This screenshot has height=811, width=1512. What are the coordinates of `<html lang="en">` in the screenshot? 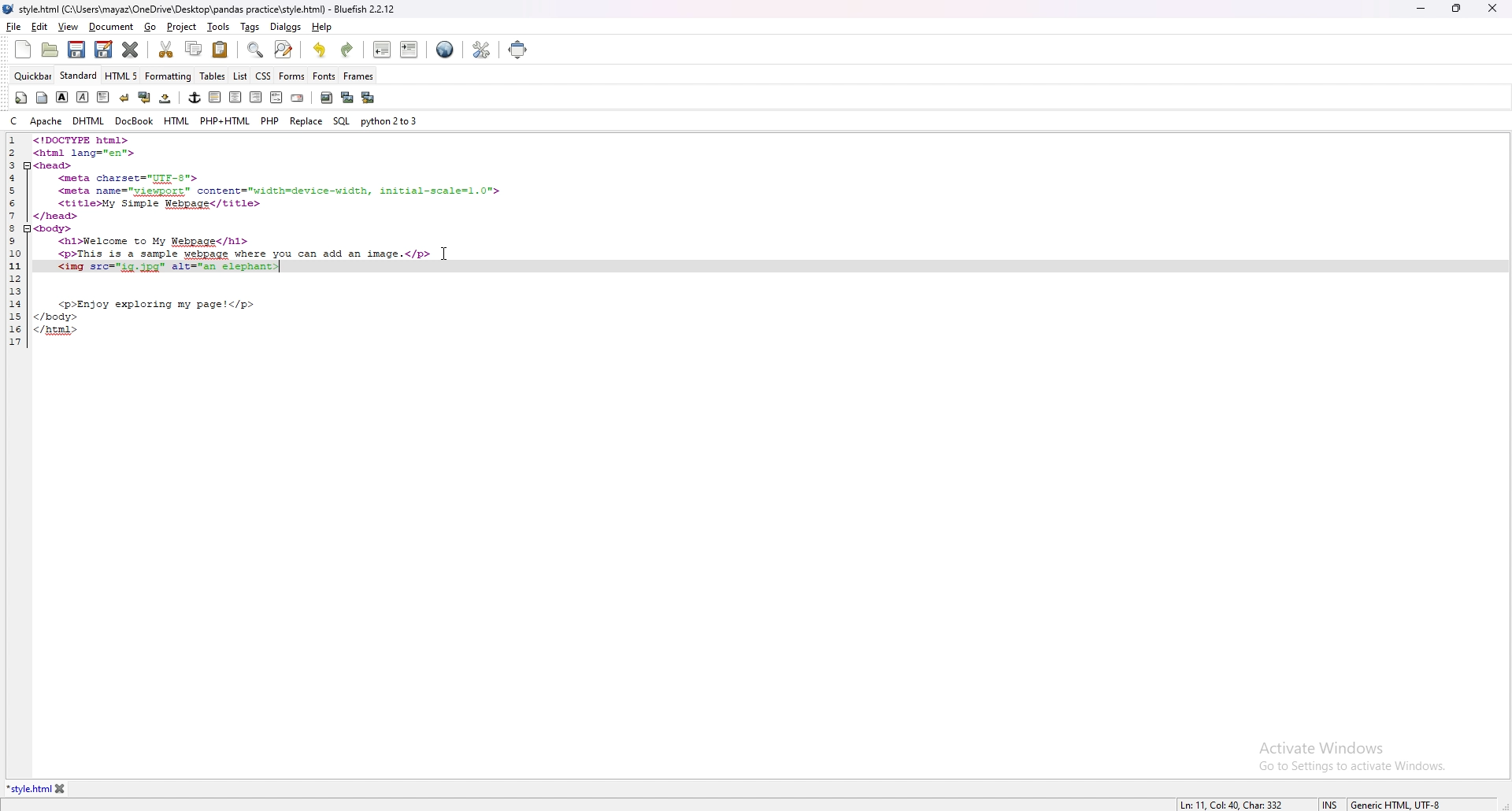 It's located at (85, 153).